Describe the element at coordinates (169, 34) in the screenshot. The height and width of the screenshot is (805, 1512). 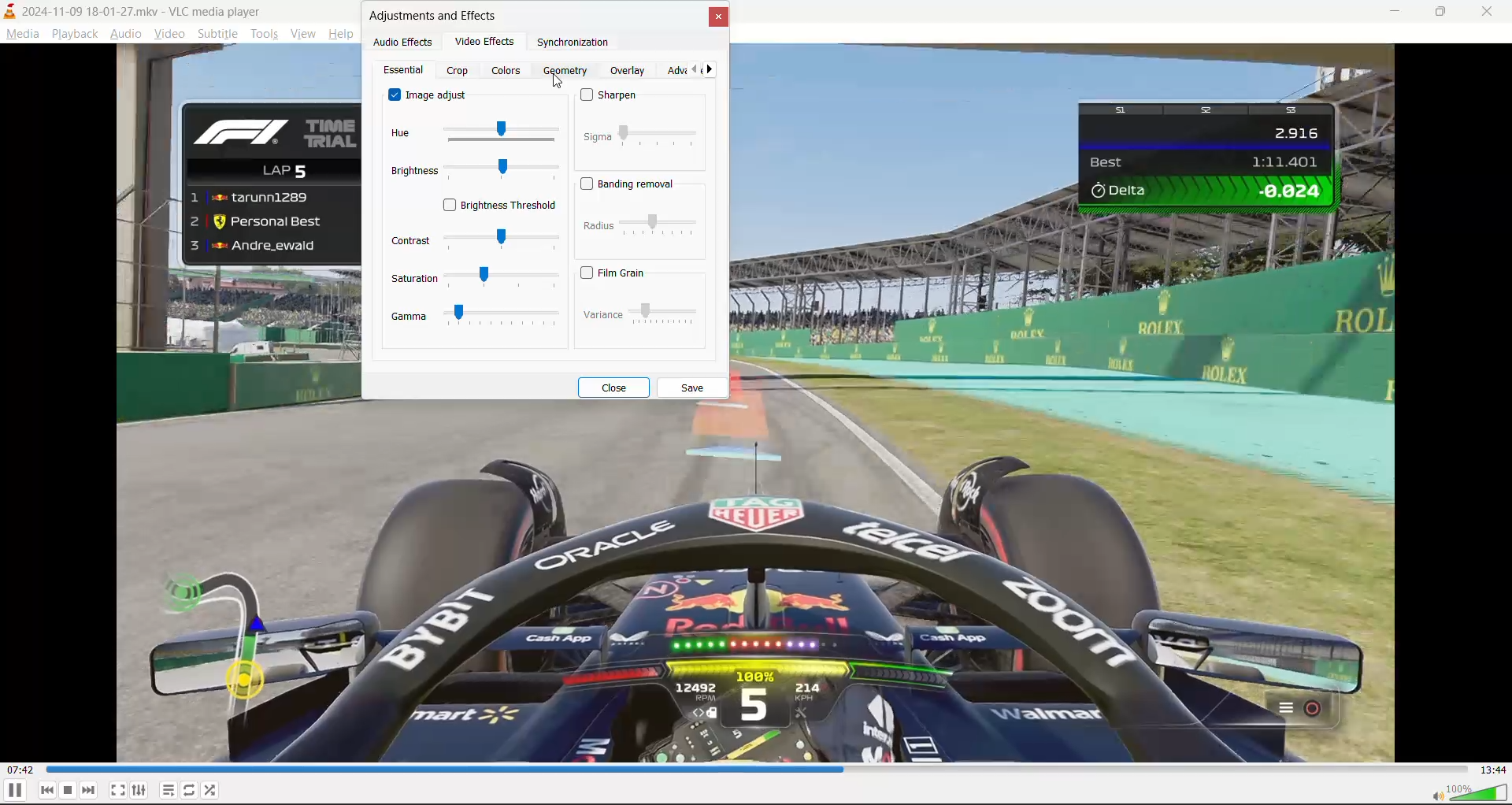
I see `video` at that location.